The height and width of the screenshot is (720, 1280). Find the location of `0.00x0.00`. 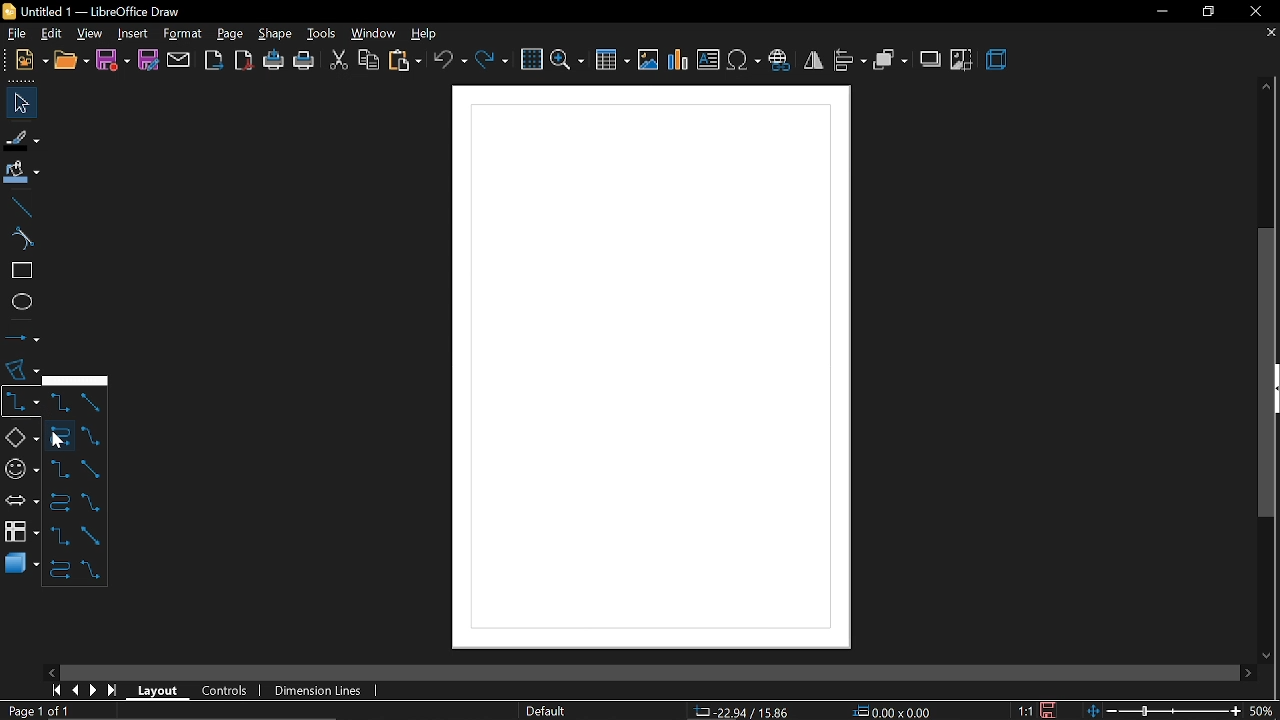

0.00x0.00 is located at coordinates (891, 710).